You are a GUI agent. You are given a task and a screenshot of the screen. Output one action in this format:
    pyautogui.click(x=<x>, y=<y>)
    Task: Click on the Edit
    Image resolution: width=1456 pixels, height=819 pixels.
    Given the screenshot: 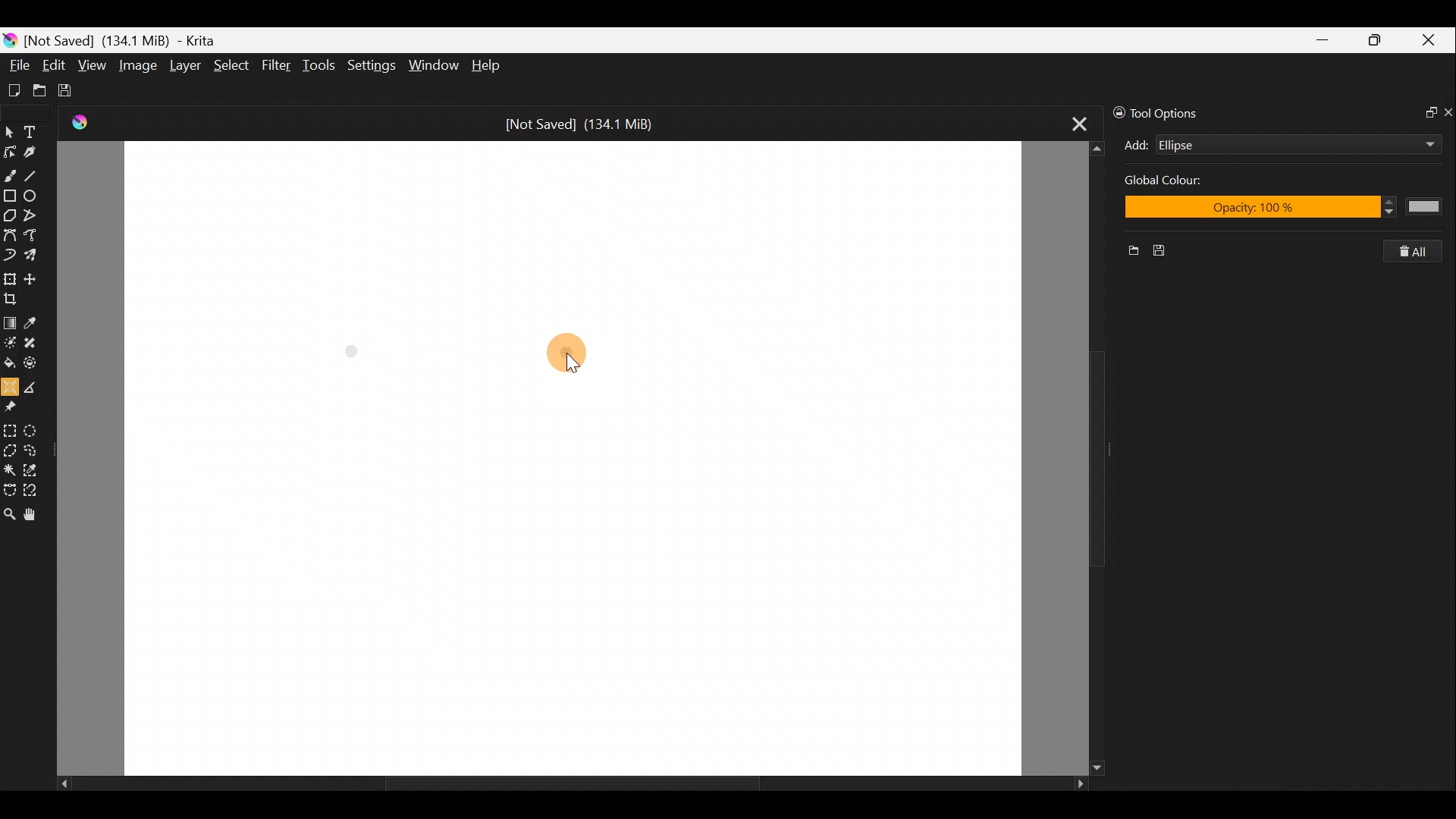 What is the action you would take?
    pyautogui.click(x=55, y=65)
    